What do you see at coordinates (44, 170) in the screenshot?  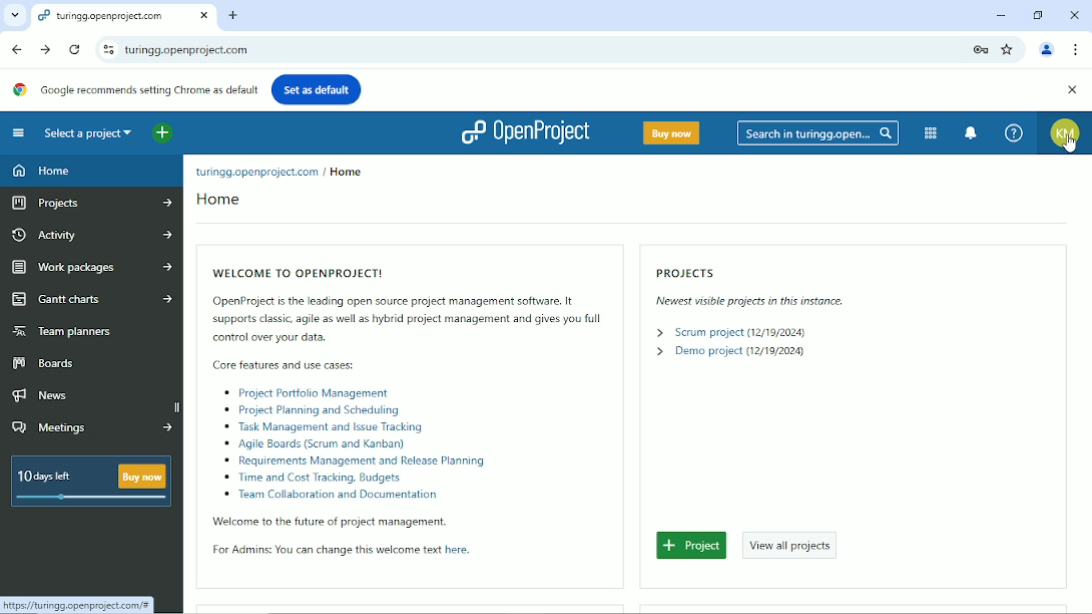 I see `Home` at bounding box center [44, 170].